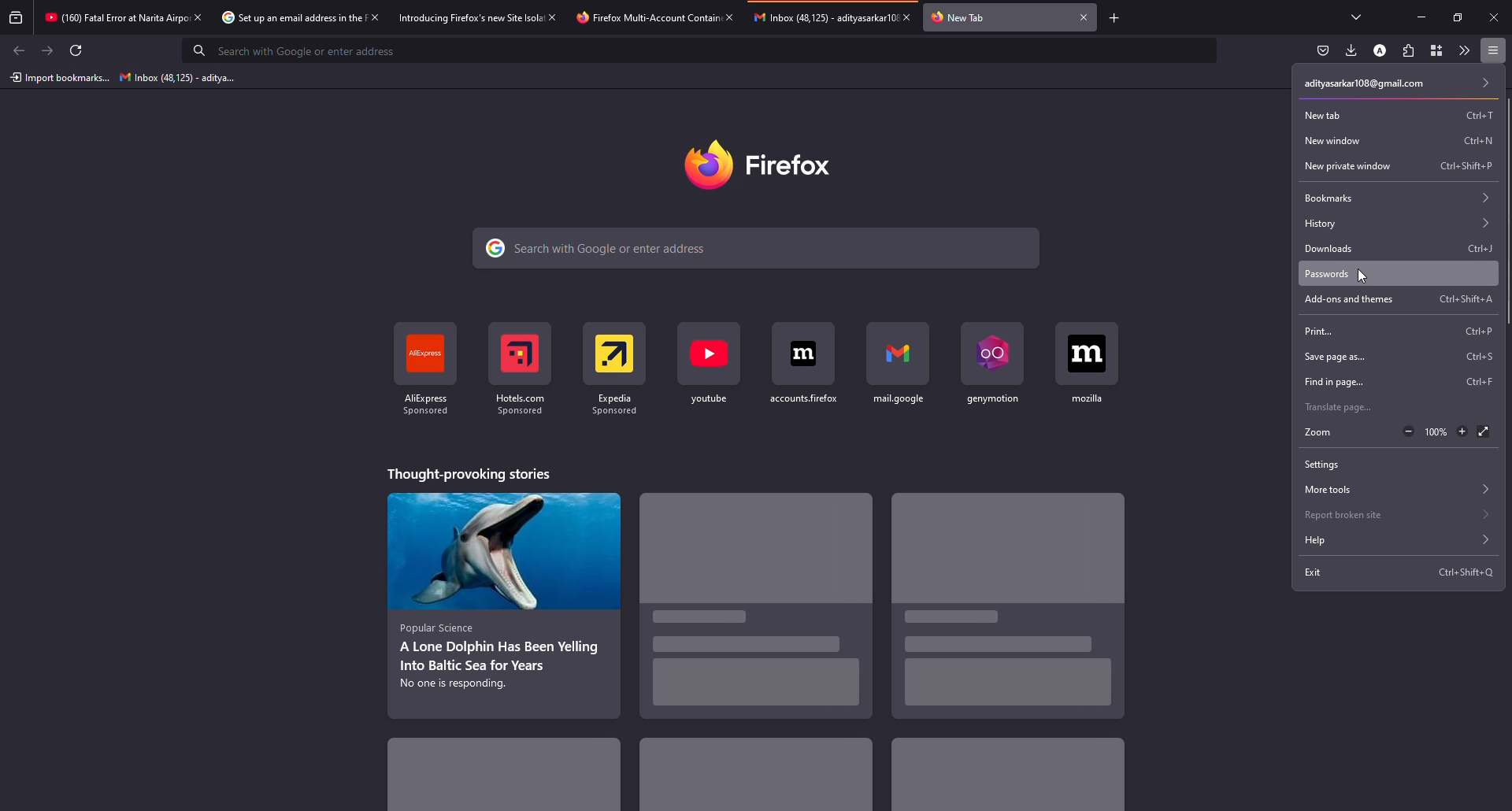  I want to click on tab, so click(113, 19).